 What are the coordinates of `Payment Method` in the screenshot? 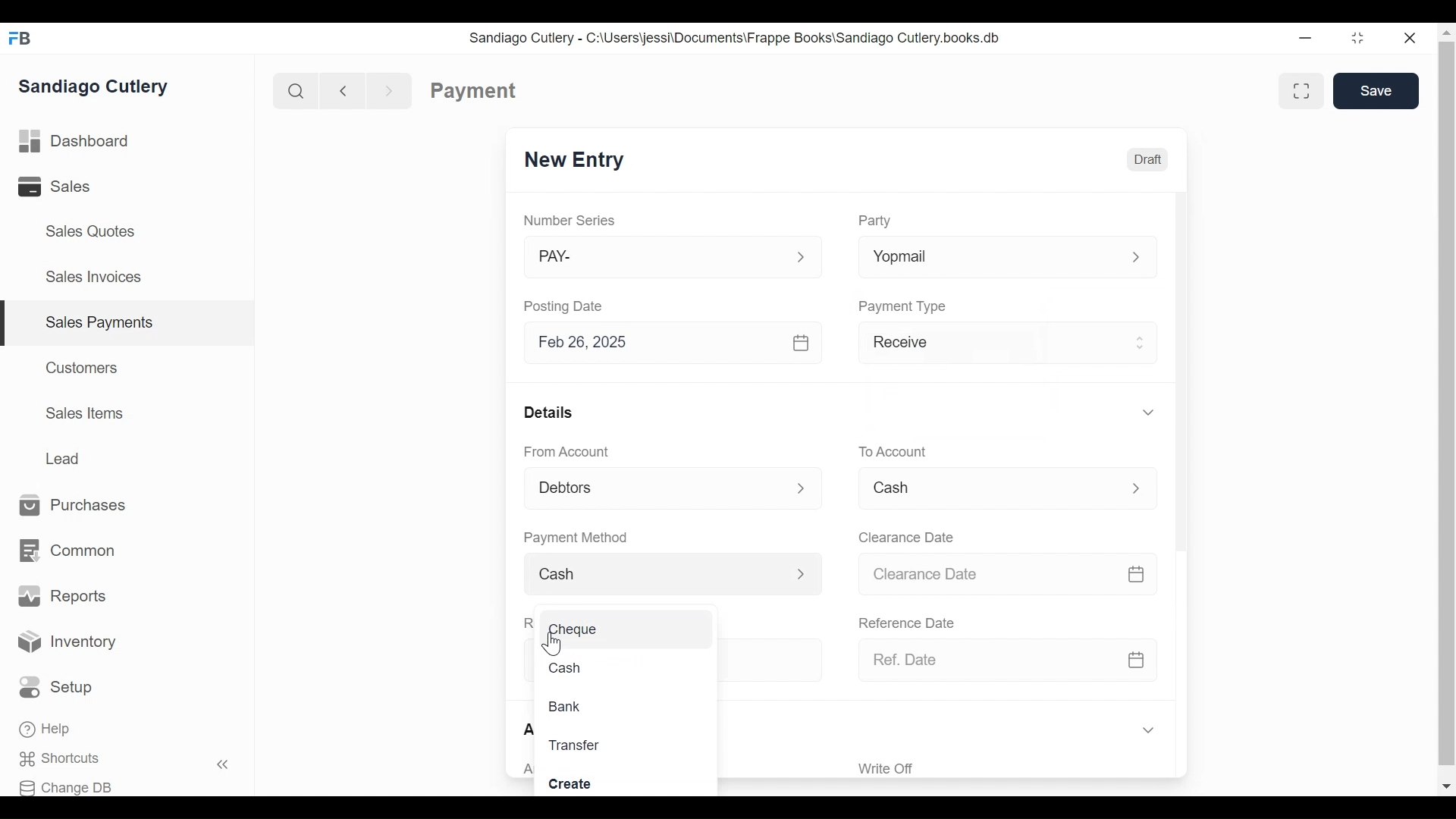 It's located at (576, 538).